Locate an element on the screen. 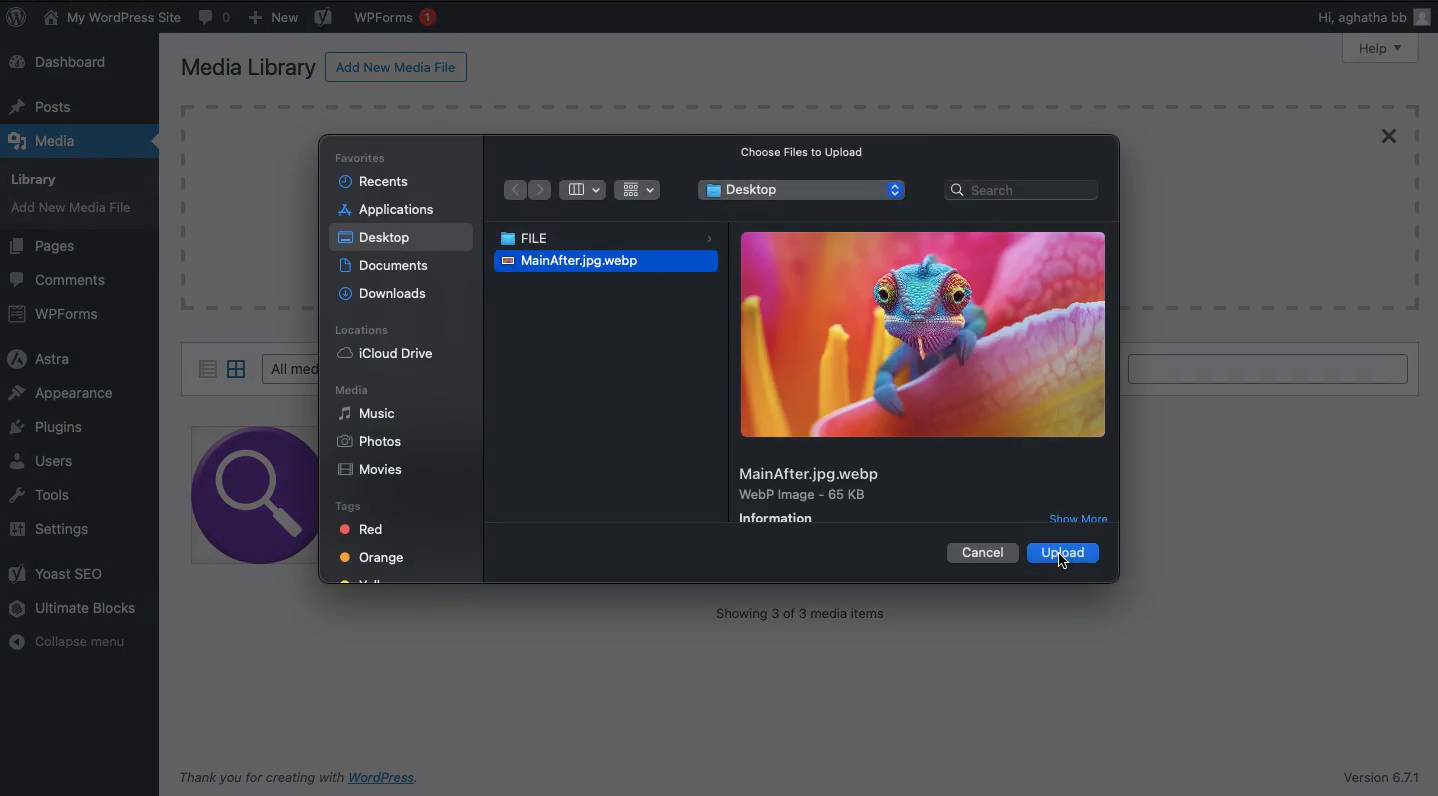 The width and height of the screenshot is (1438, 796). WPForms is located at coordinates (397, 17).